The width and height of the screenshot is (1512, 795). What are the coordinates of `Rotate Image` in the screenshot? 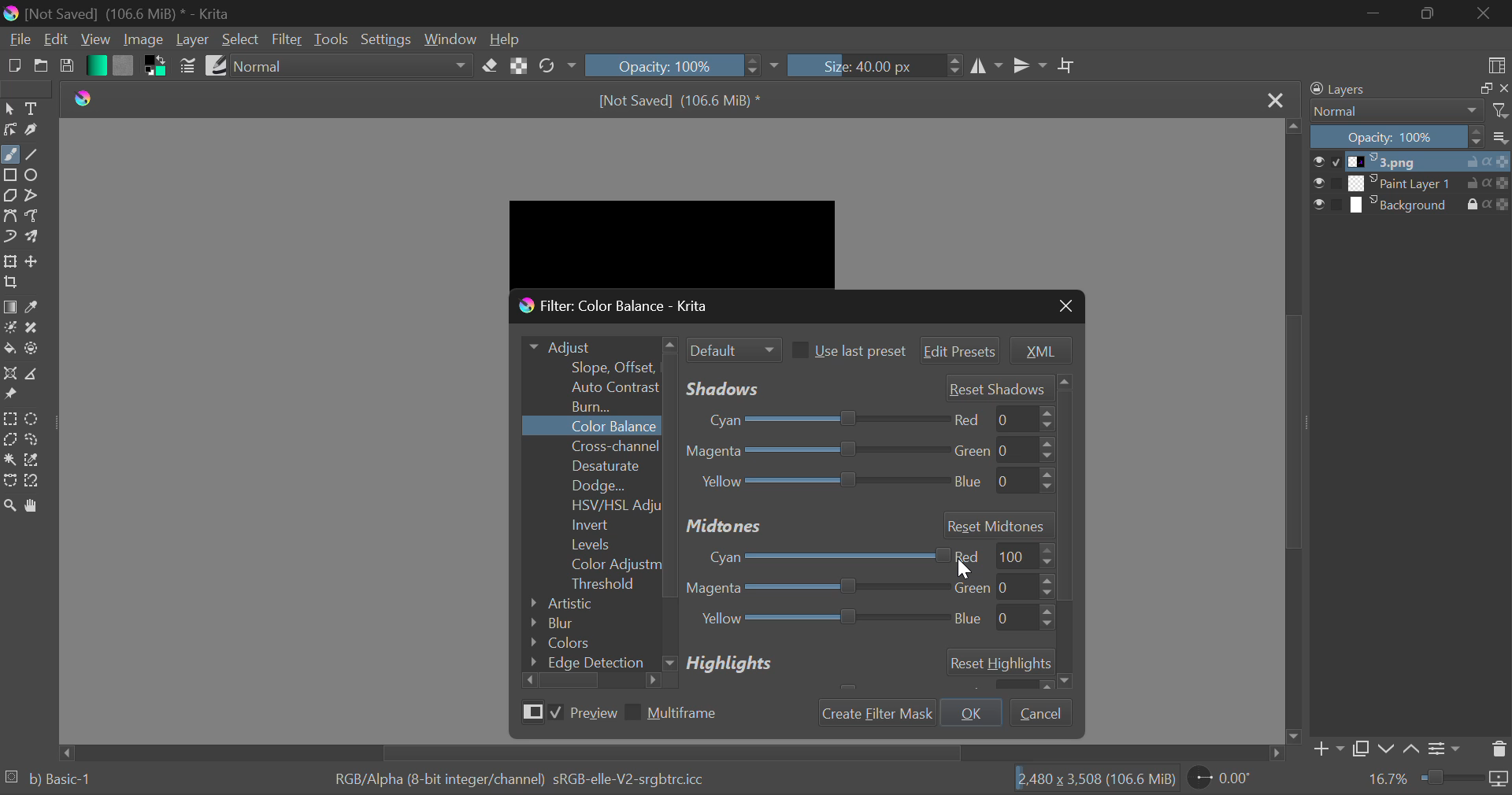 It's located at (556, 66).